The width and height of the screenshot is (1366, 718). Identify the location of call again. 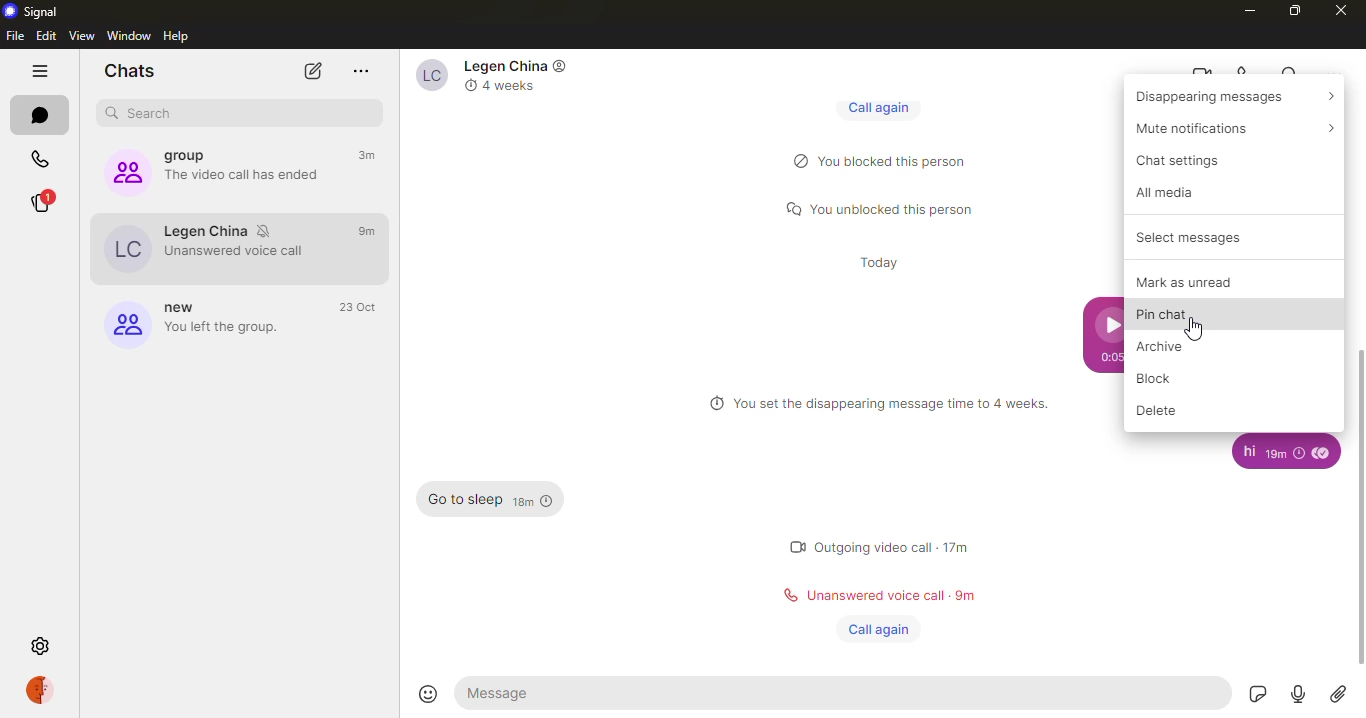
(878, 628).